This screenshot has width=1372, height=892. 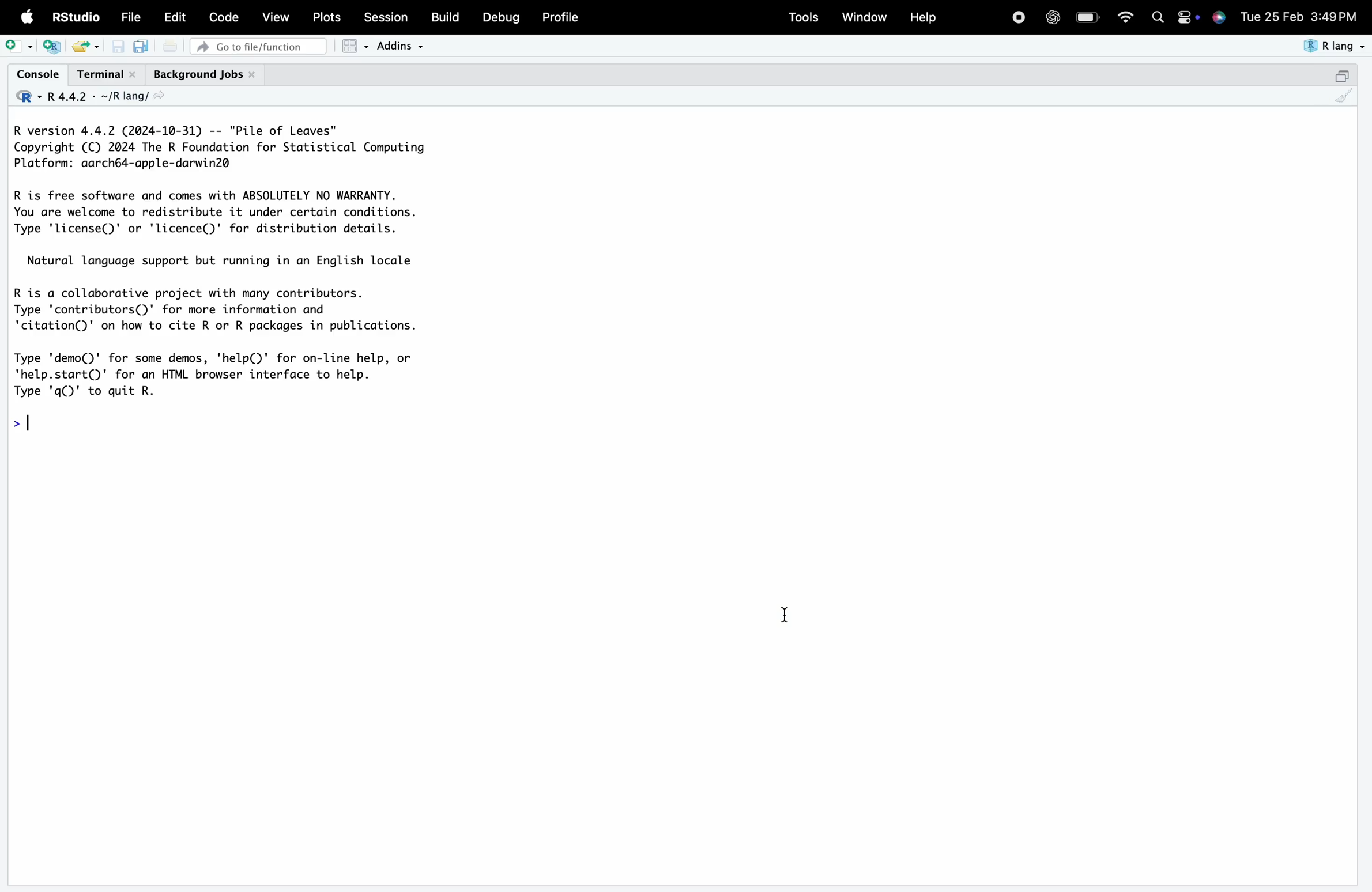 What do you see at coordinates (1219, 16) in the screenshot?
I see `siri` at bounding box center [1219, 16].